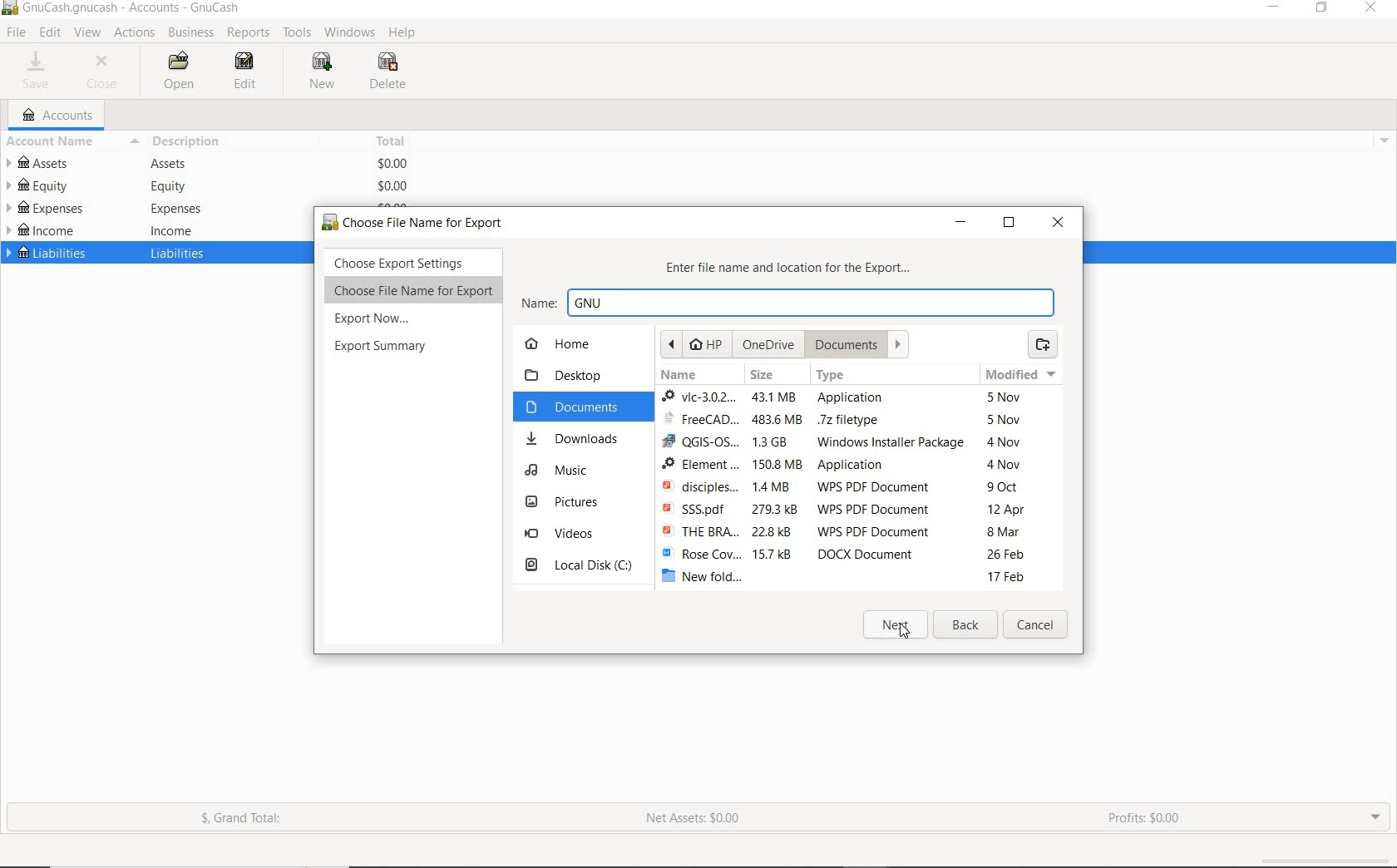 The image size is (1397, 868). Describe the element at coordinates (402, 33) in the screenshot. I see `HELP` at that location.